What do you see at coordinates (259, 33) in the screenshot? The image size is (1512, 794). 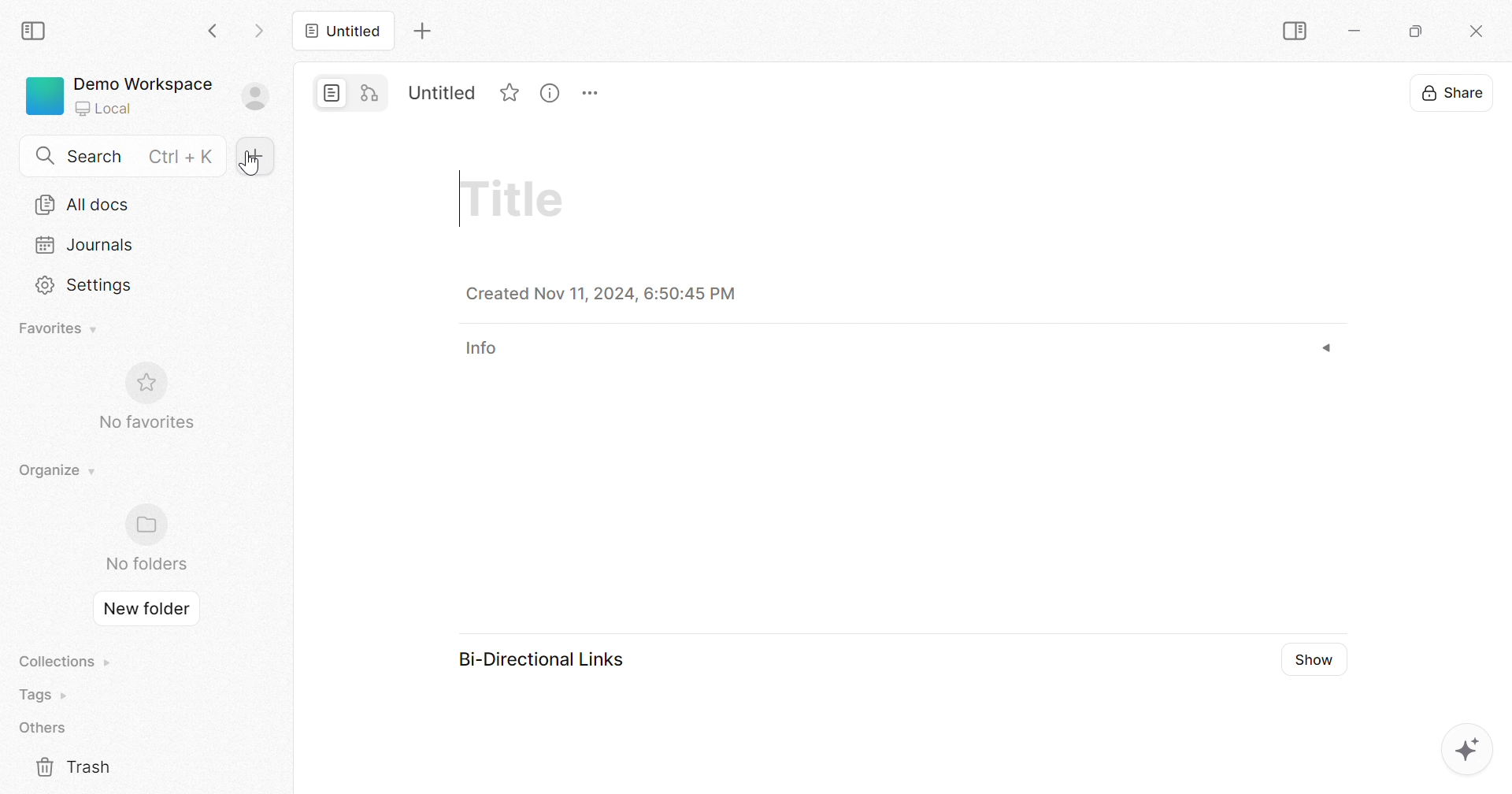 I see `Forward` at bounding box center [259, 33].